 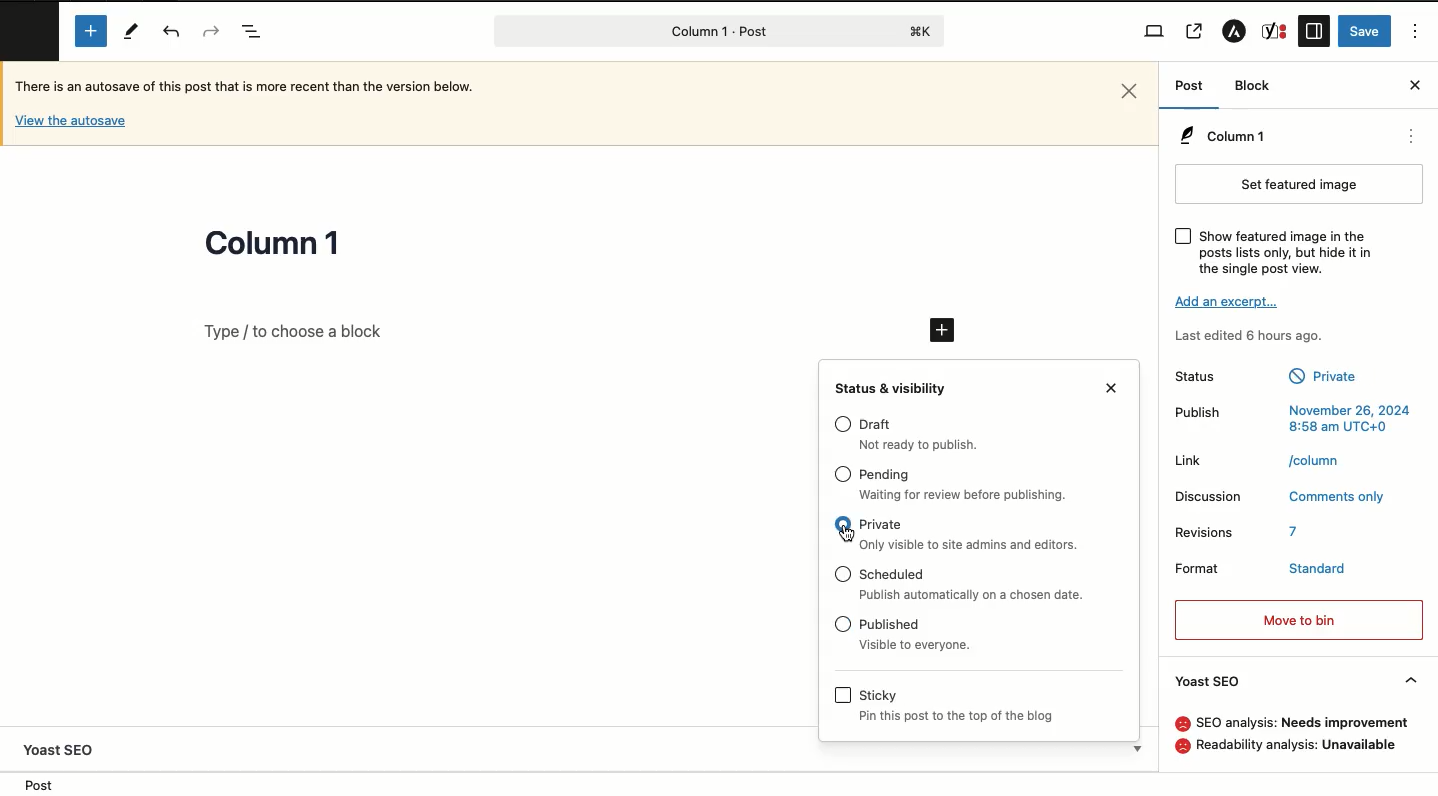 What do you see at coordinates (1319, 565) in the screenshot?
I see `Standard` at bounding box center [1319, 565].